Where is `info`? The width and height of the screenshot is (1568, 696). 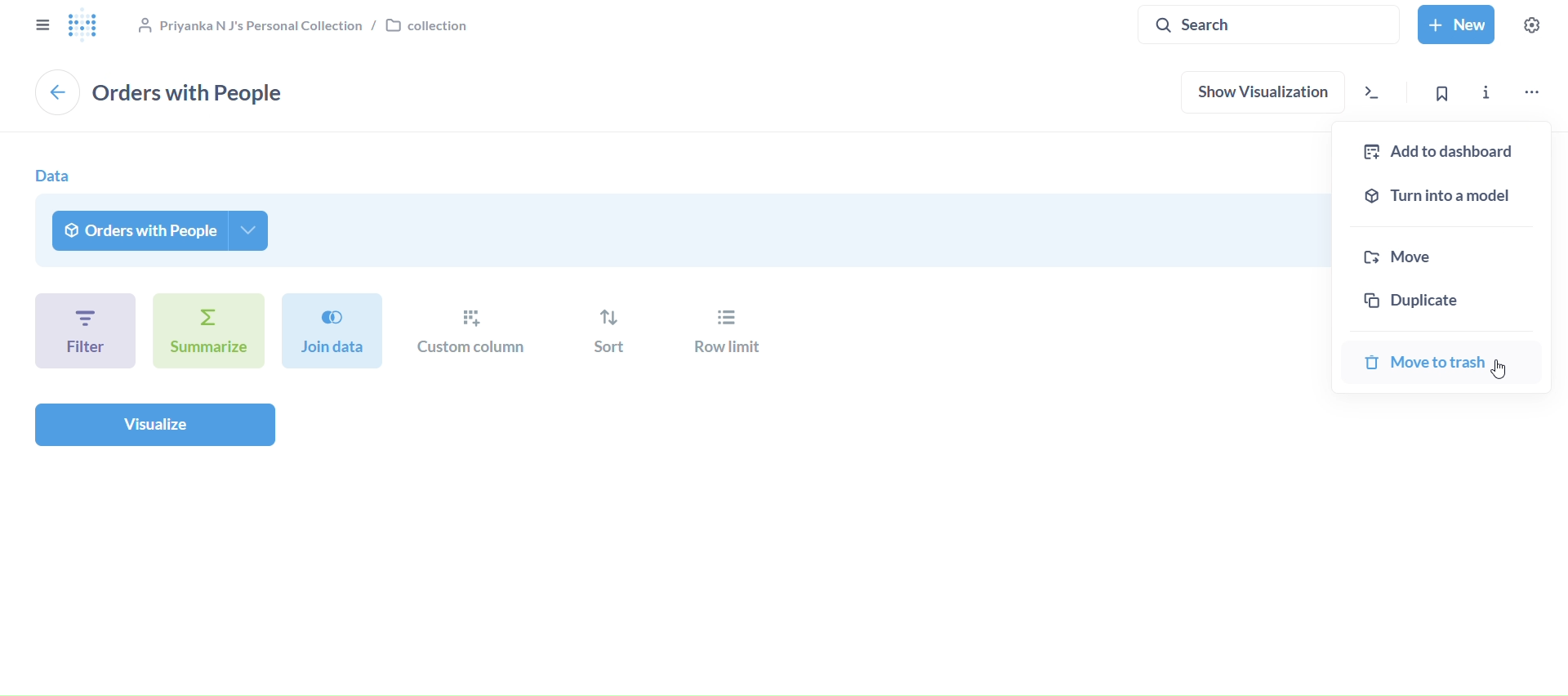
info is located at coordinates (1490, 90).